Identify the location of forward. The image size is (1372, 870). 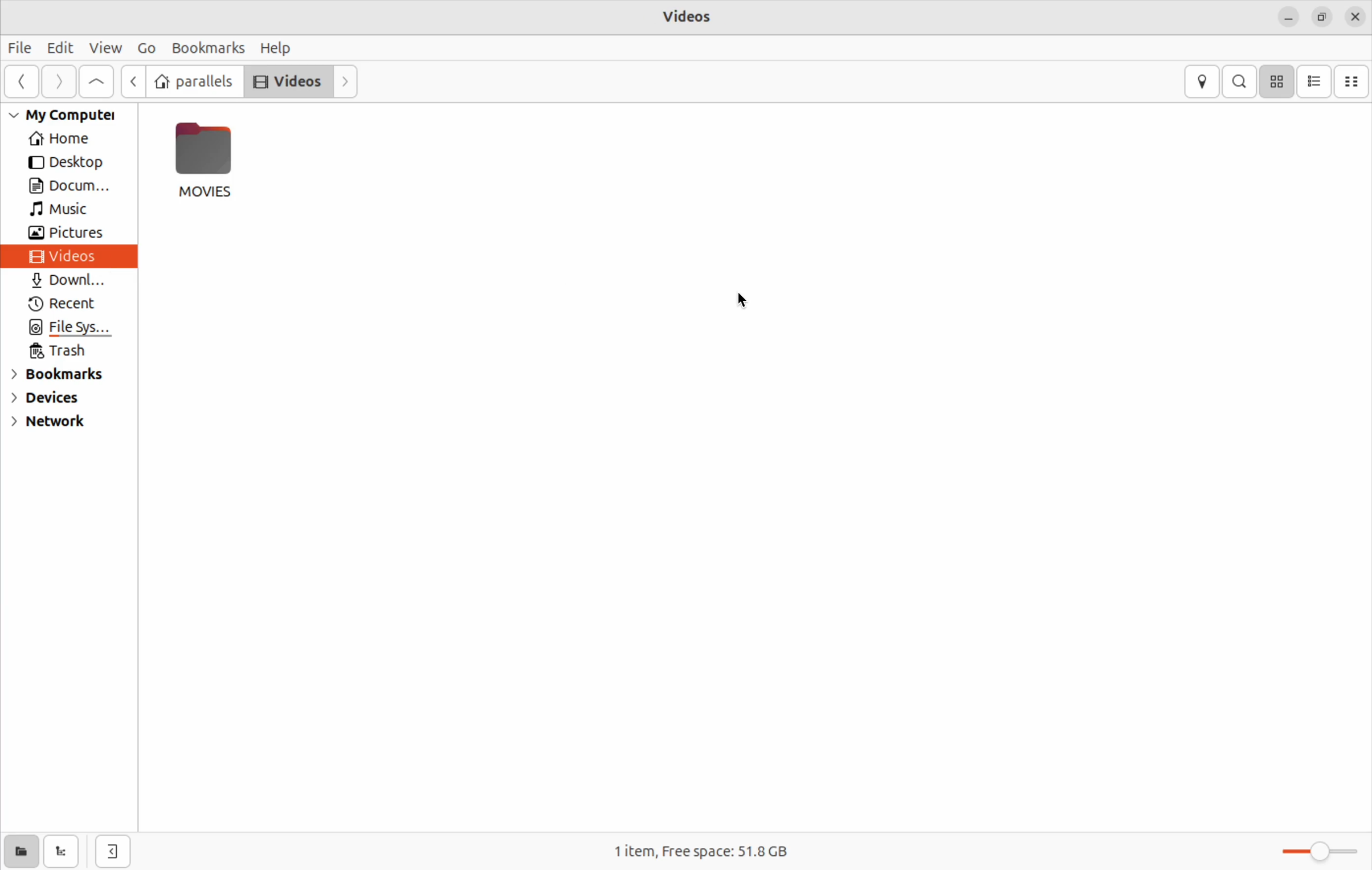
(349, 81).